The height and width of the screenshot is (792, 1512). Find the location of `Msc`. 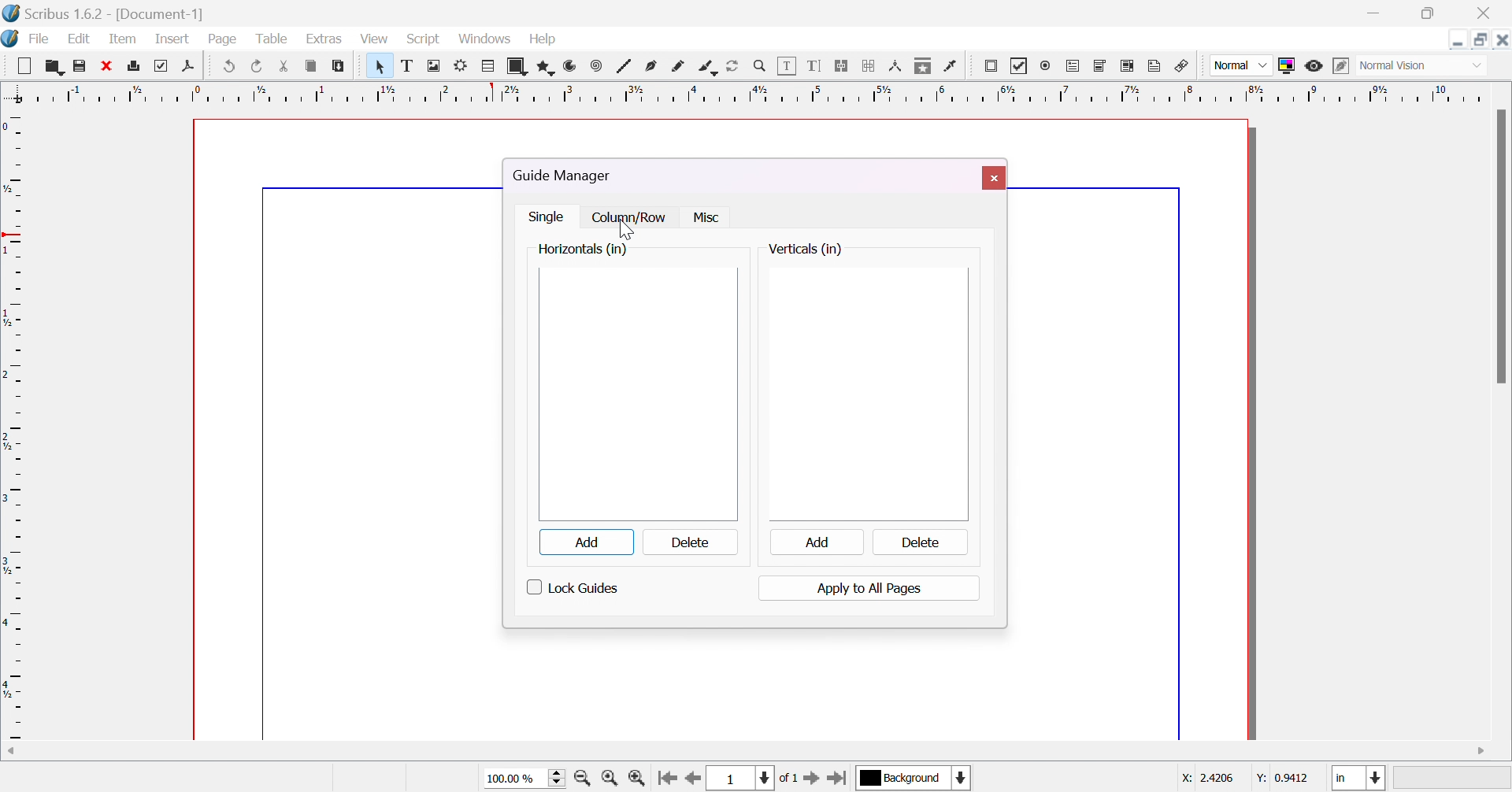

Msc is located at coordinates (704, 218).